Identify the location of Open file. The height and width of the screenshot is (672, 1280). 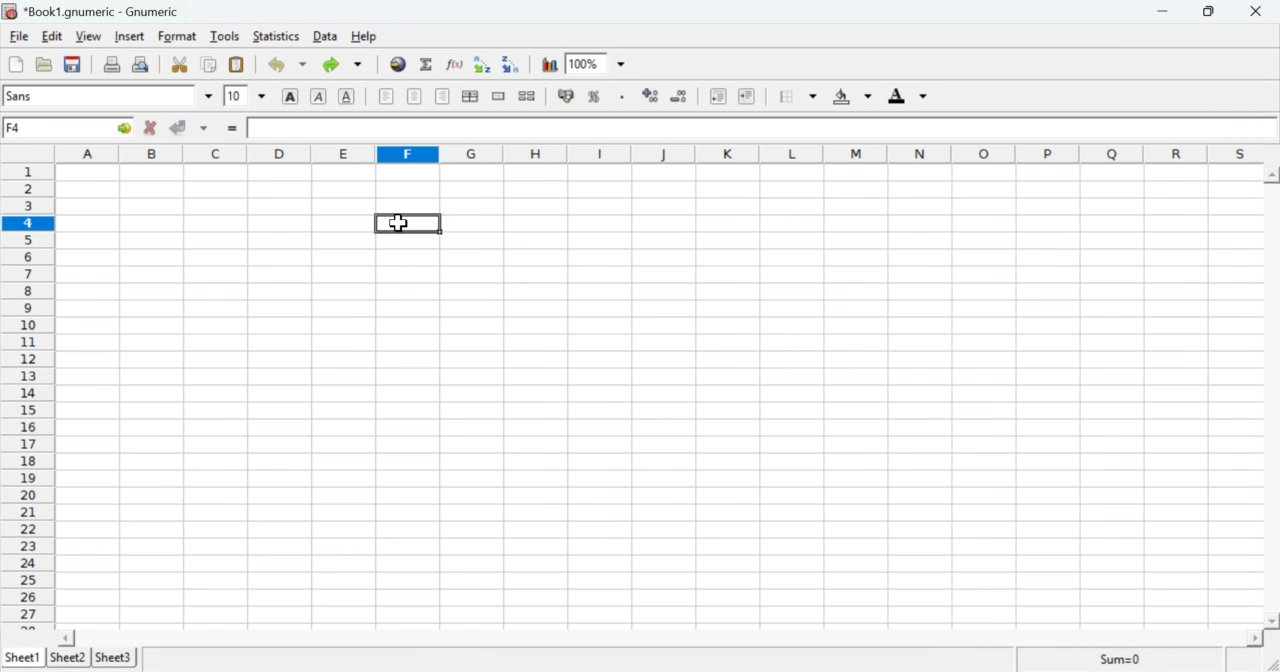
(43, 63).